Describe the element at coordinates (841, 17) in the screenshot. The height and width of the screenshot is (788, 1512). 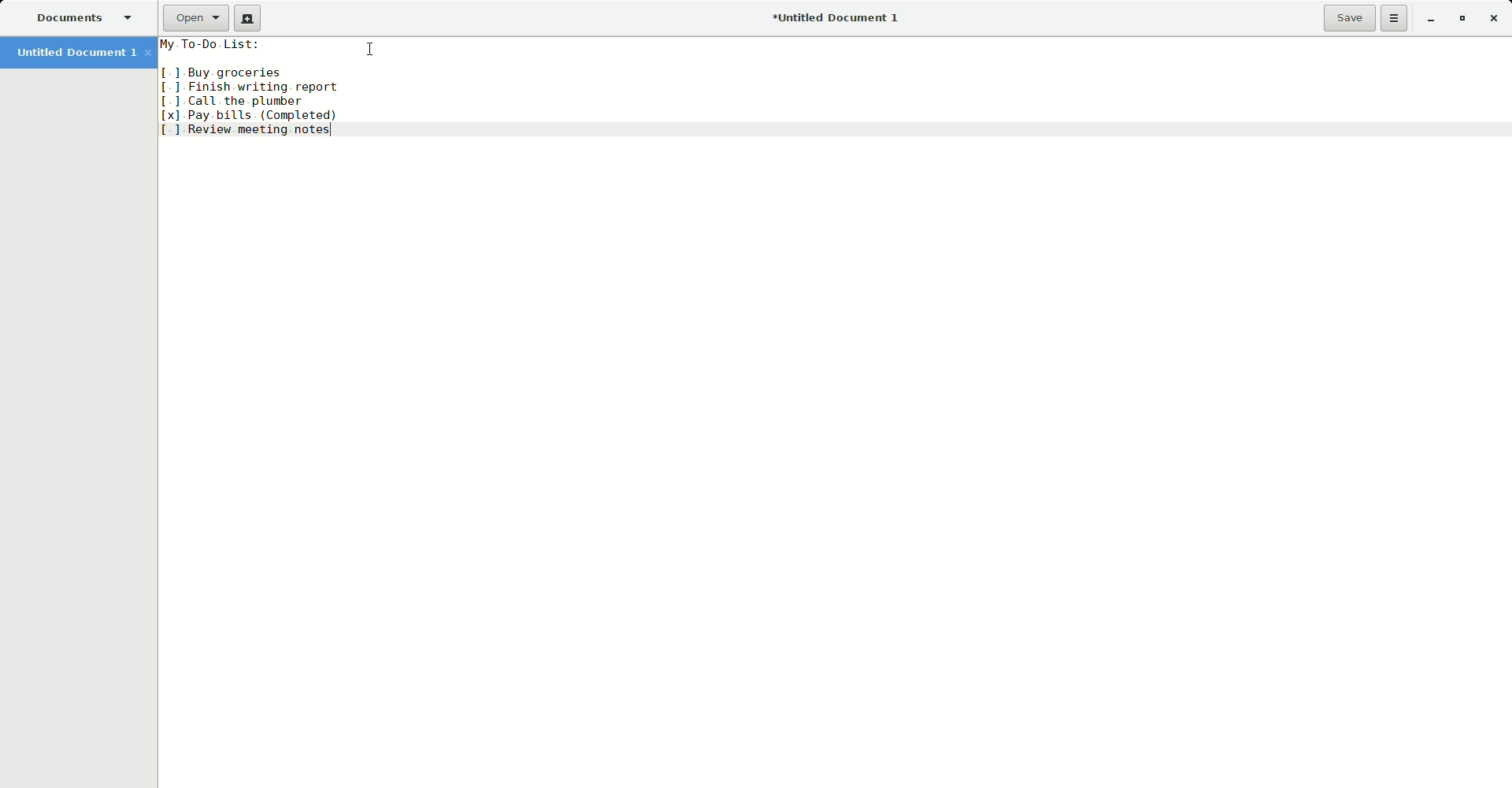
I see `Untitled Document 1` at that location.